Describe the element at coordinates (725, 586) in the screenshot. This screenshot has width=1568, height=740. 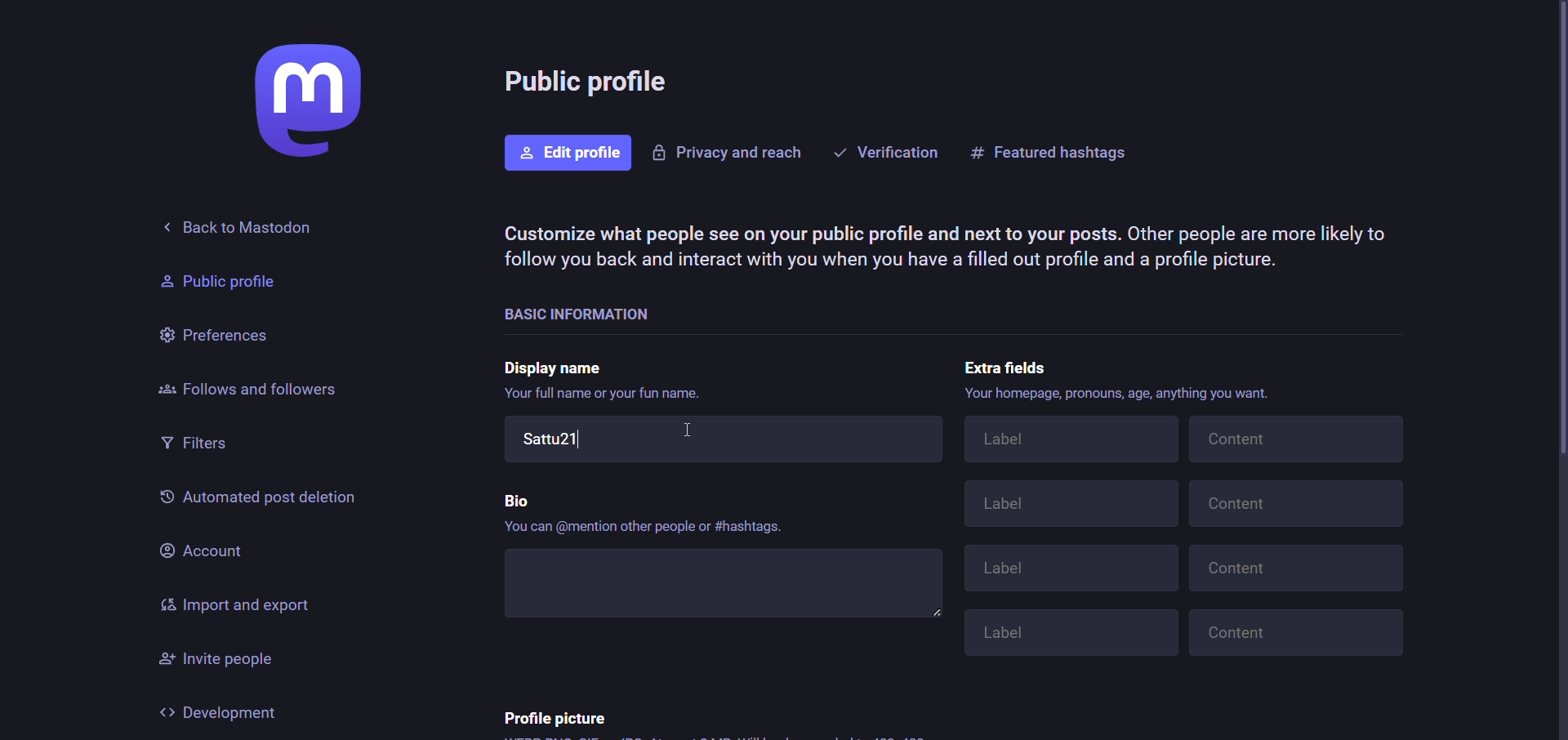
I see `write bio here` at that location.